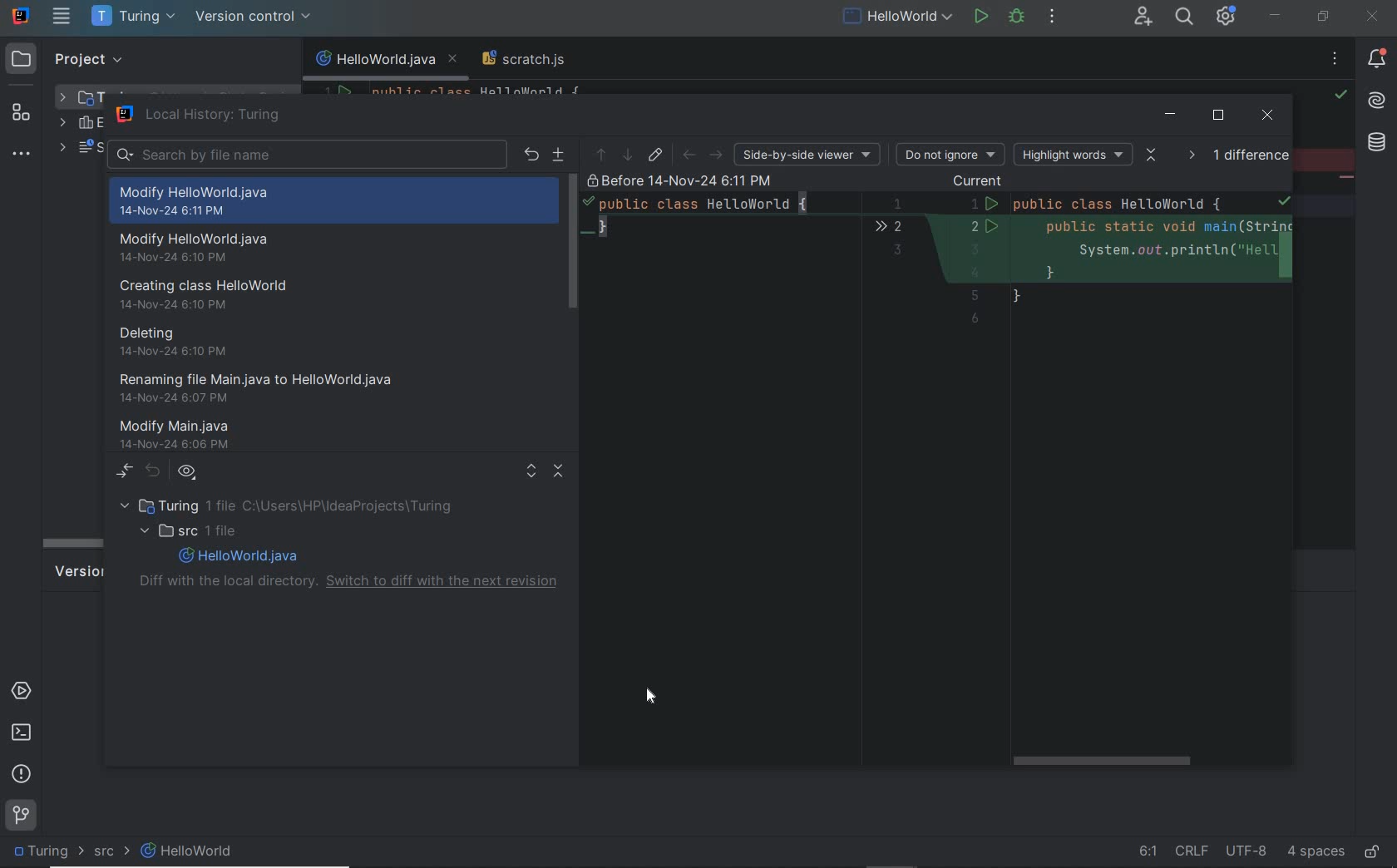 Image resolution: width=1397 pixels, height=868 pixels. What do you see at coordinates (205, 293) in the screenshot?
I see `creating class helloworld` at bounding box center [205, 293].